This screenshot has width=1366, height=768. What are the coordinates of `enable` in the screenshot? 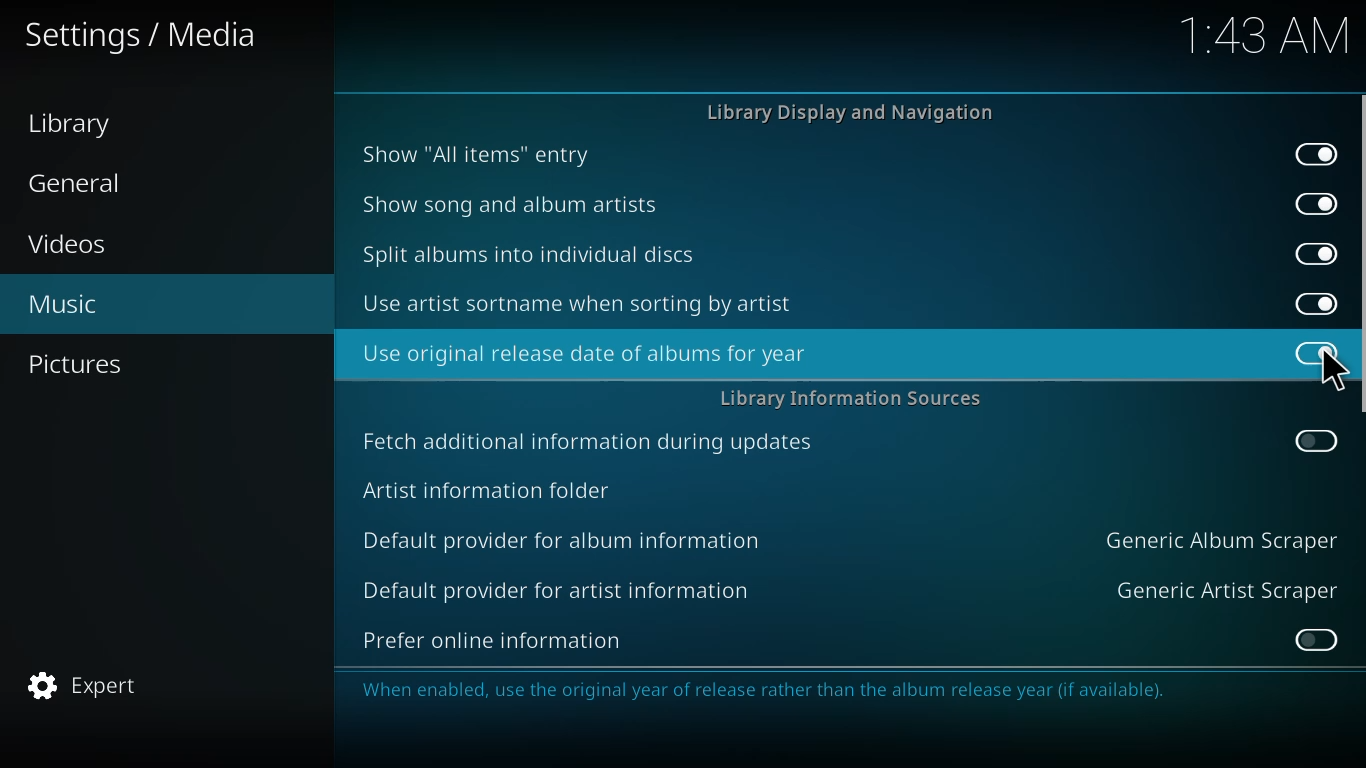 It's located at (1314, 639).